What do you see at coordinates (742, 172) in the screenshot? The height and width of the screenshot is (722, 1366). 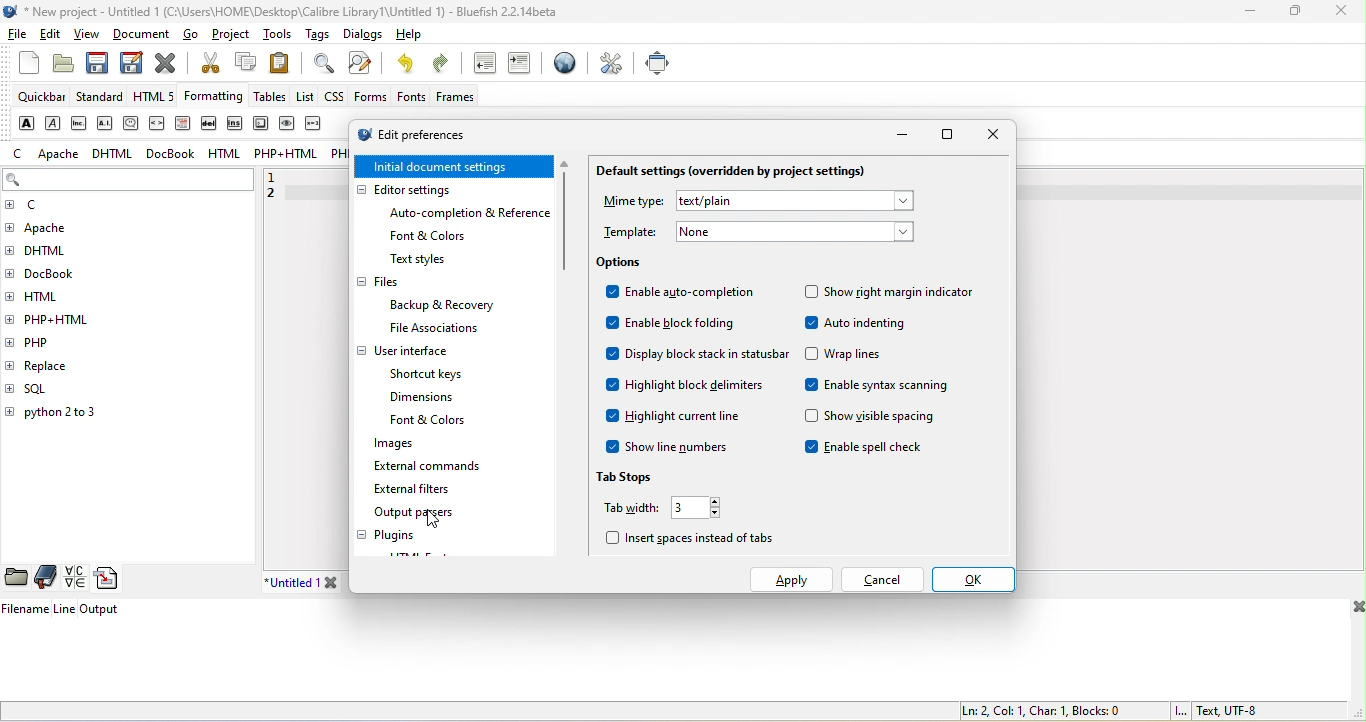 I see `default settings` at bounding box center [742, 172].